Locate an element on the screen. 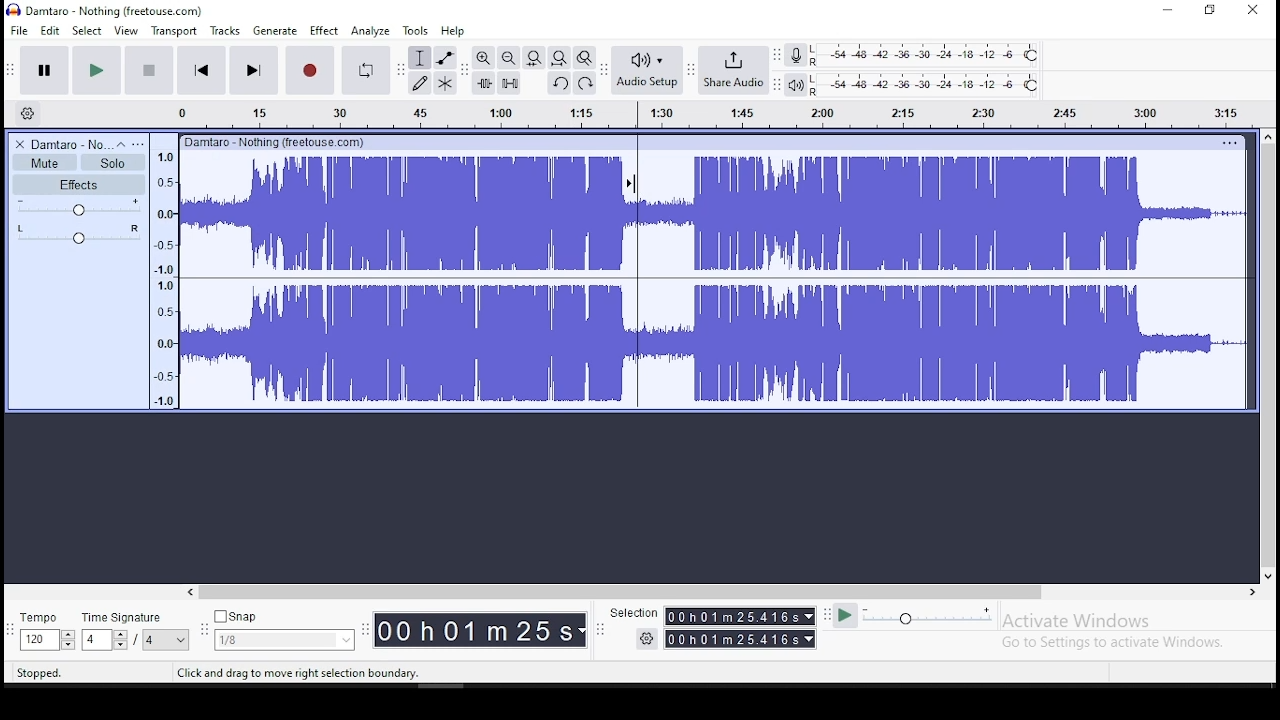  time menu is located at coordinates (739, 639).